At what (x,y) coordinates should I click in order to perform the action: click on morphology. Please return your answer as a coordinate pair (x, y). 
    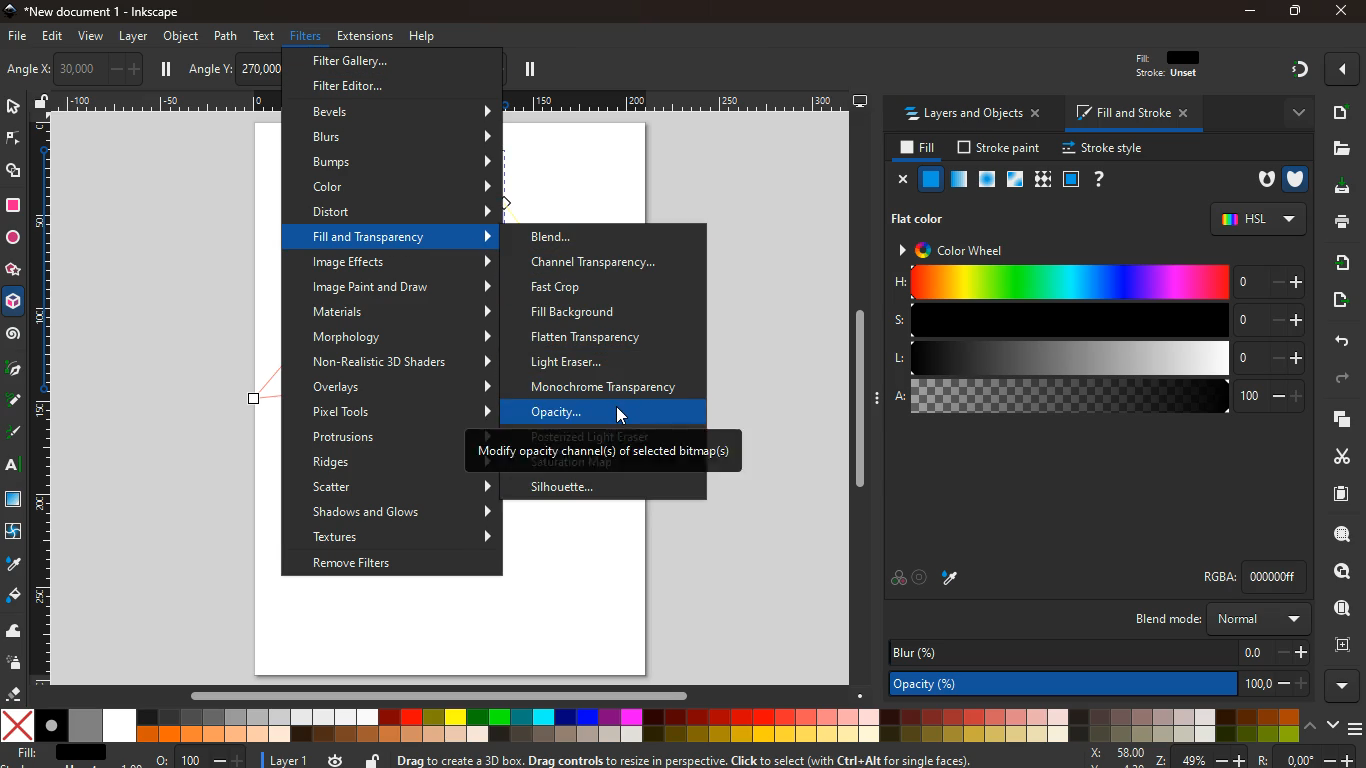
    Looking at the image, I should click on (400, 337).